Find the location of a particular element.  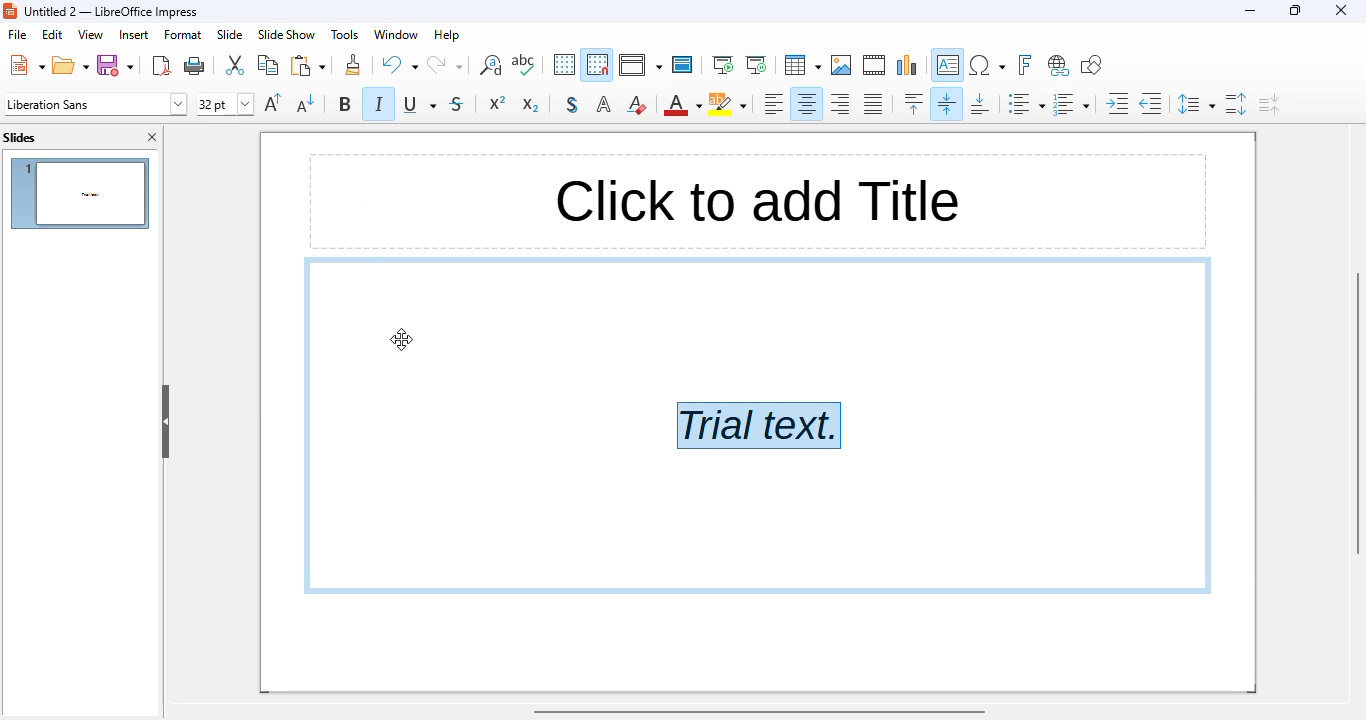

decrease font size is located at coordinates (306, 103).